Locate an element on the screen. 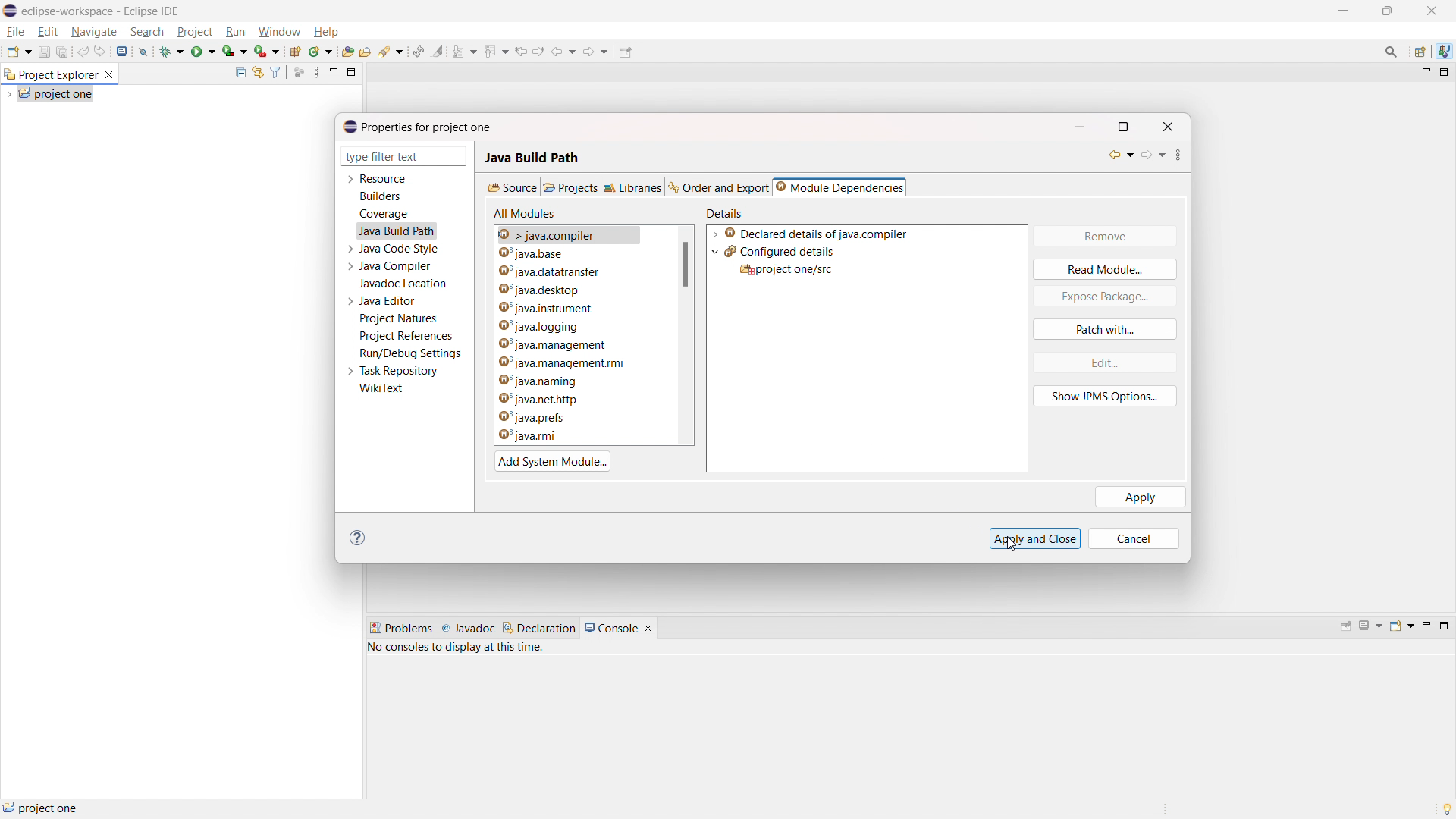  maximize is located at coordinates (1342, 11).